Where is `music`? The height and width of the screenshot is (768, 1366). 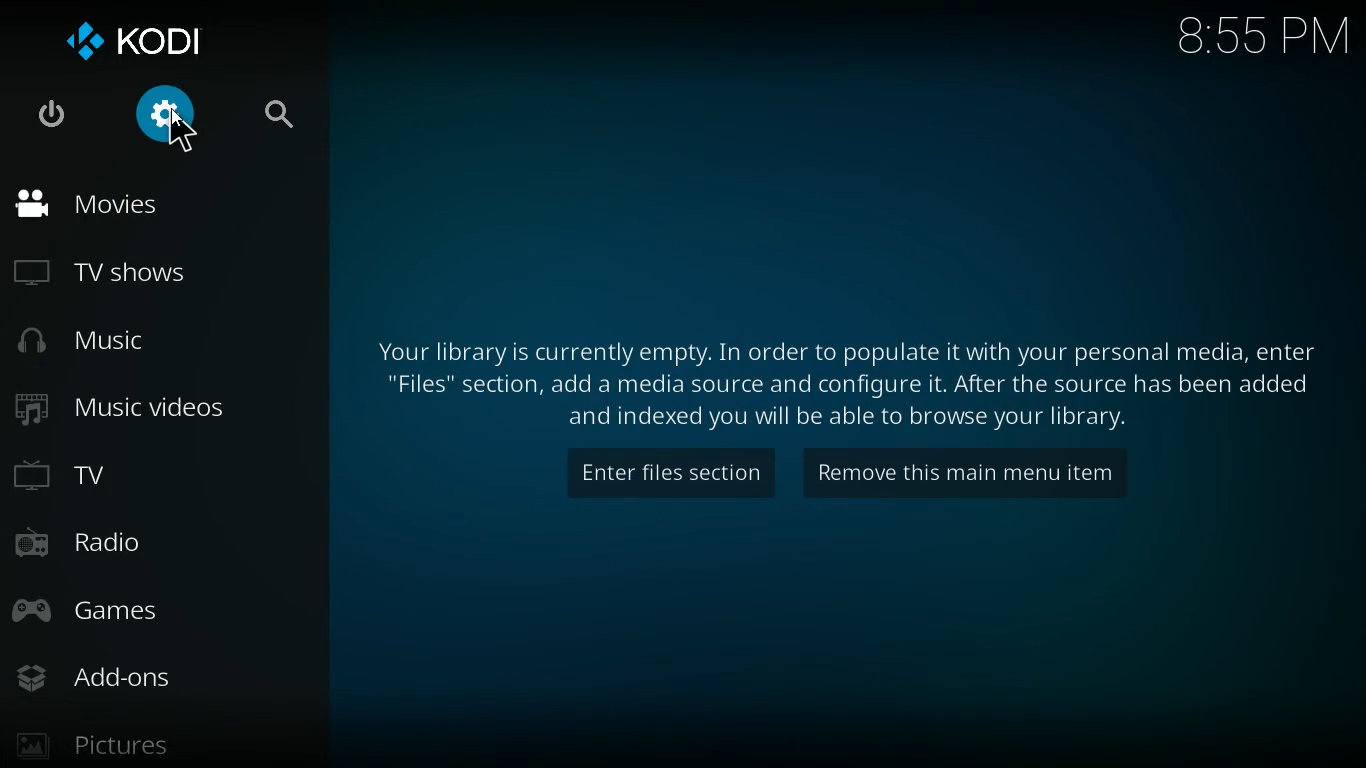
music is located at coordinates (90, 342).